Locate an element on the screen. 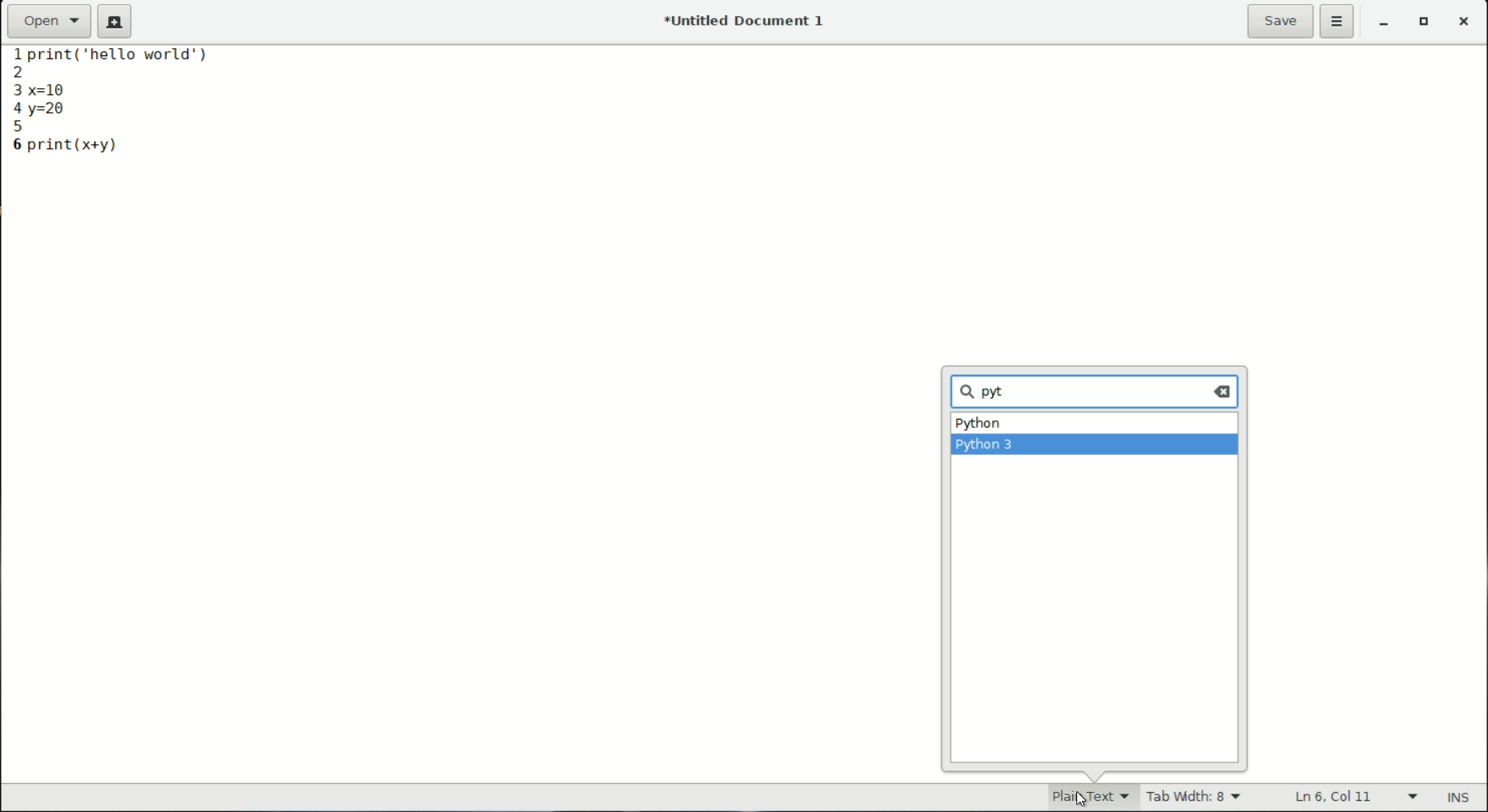 Image resolution: width=1488 pixels, height=812 pixels. cursor position is located at coordinates (1336, 798).